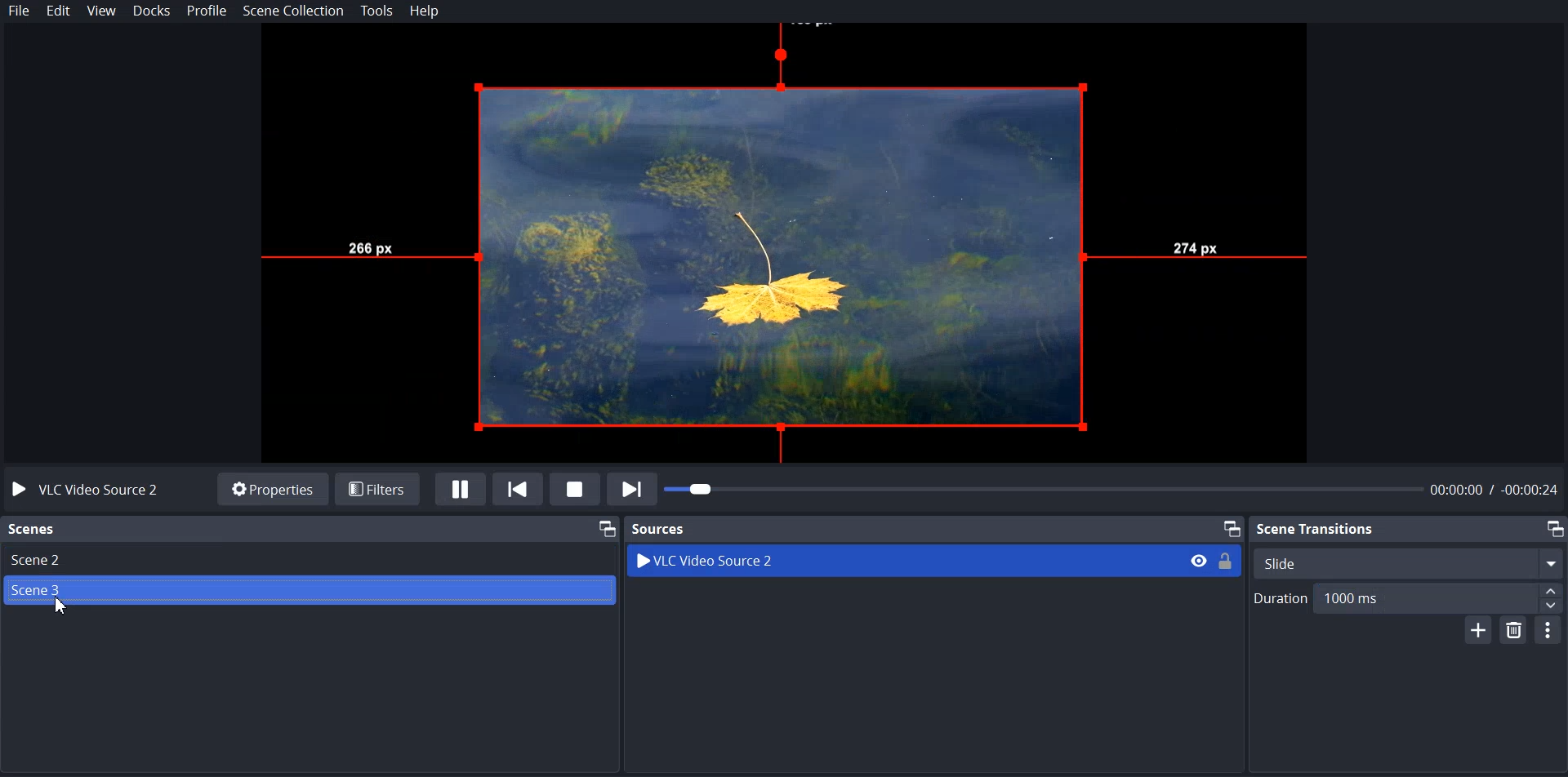 This screenshot has width=1568, height=777. I want to click on Configurable Transition Properties, so click(1548, 629).